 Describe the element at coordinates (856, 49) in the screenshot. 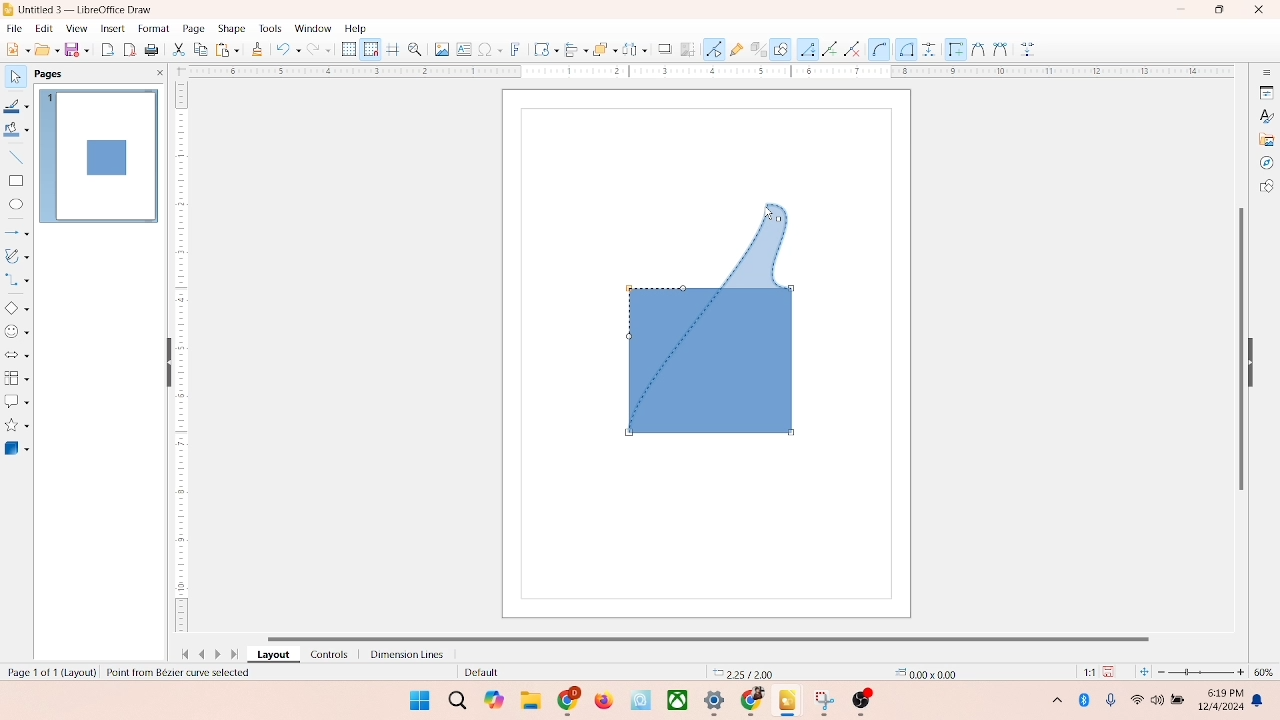

I see `Arc tool` at that location.